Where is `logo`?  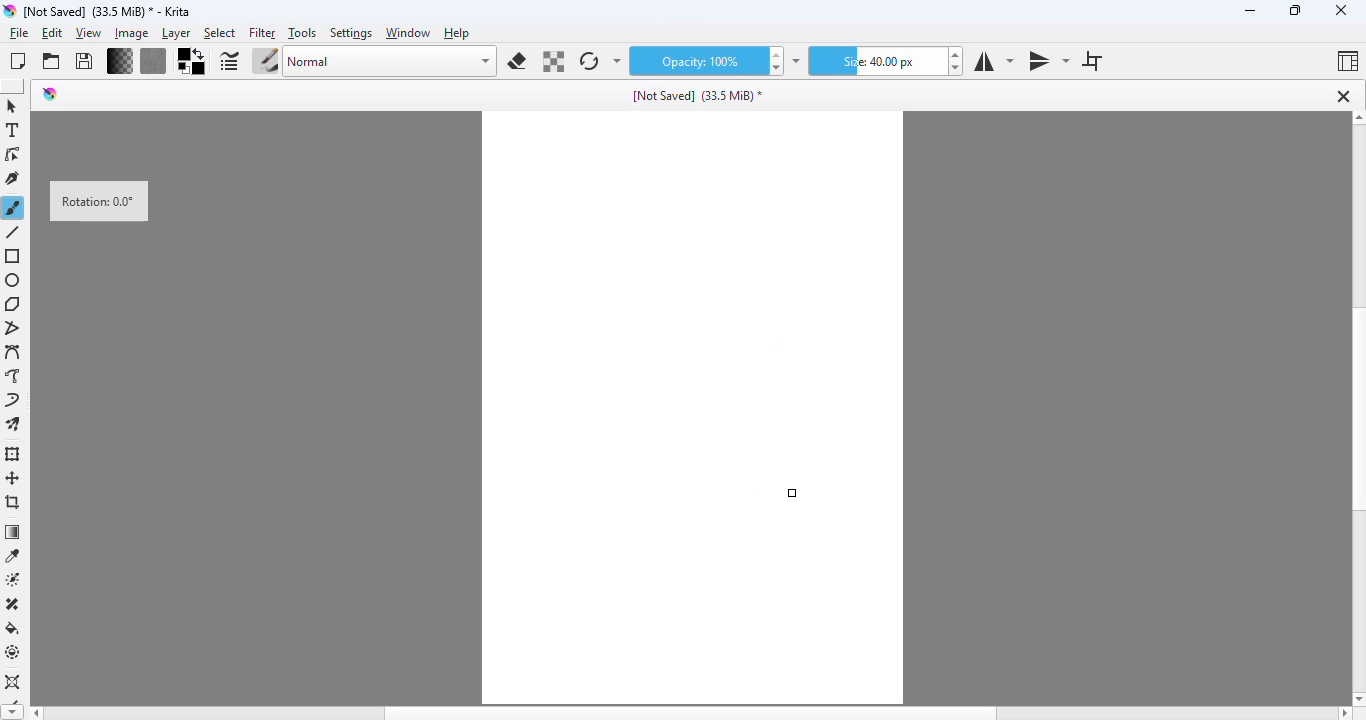 logo is located at coordinates (50, 94).